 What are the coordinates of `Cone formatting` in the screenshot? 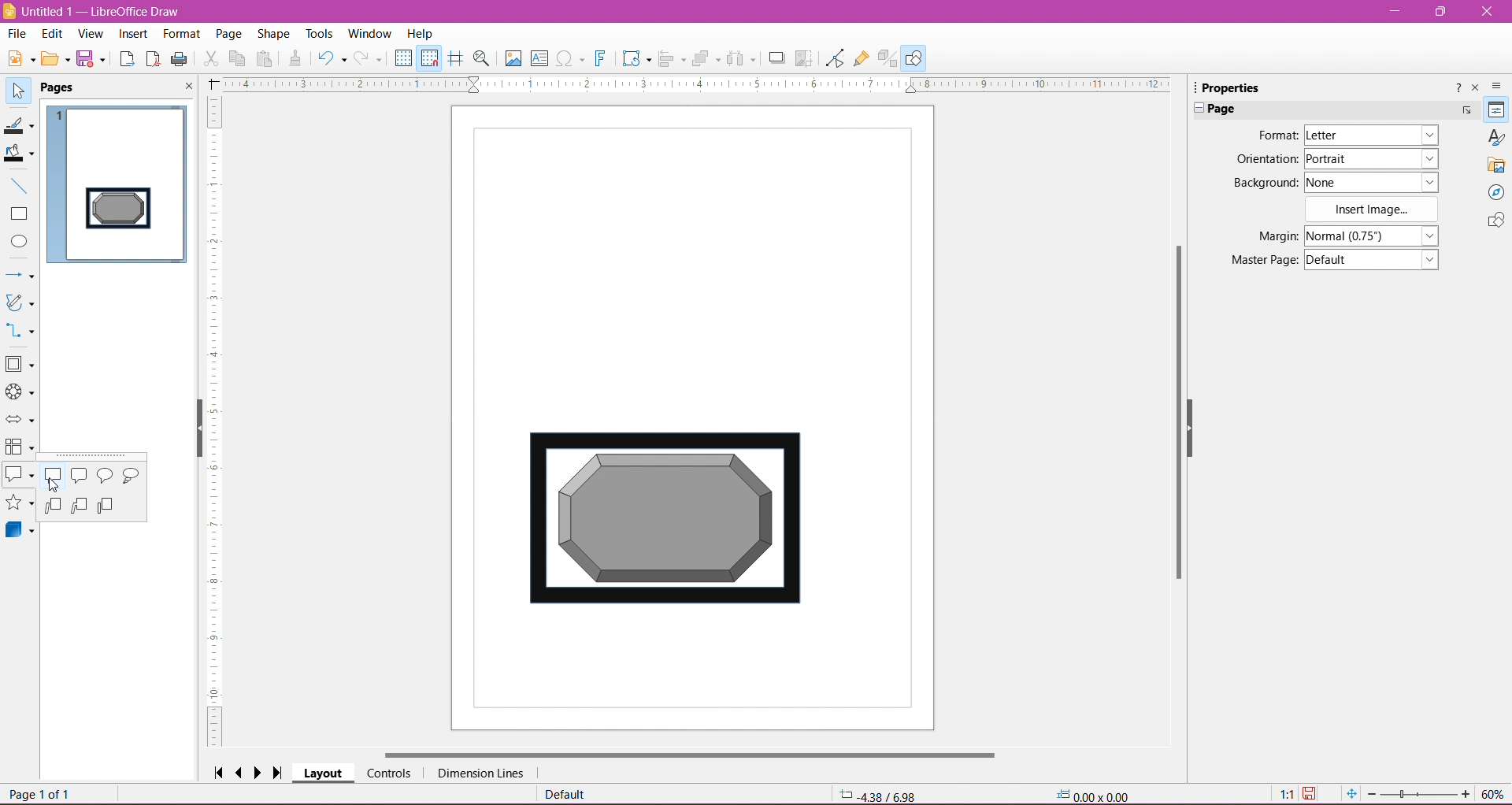 It's located at (295, 60).